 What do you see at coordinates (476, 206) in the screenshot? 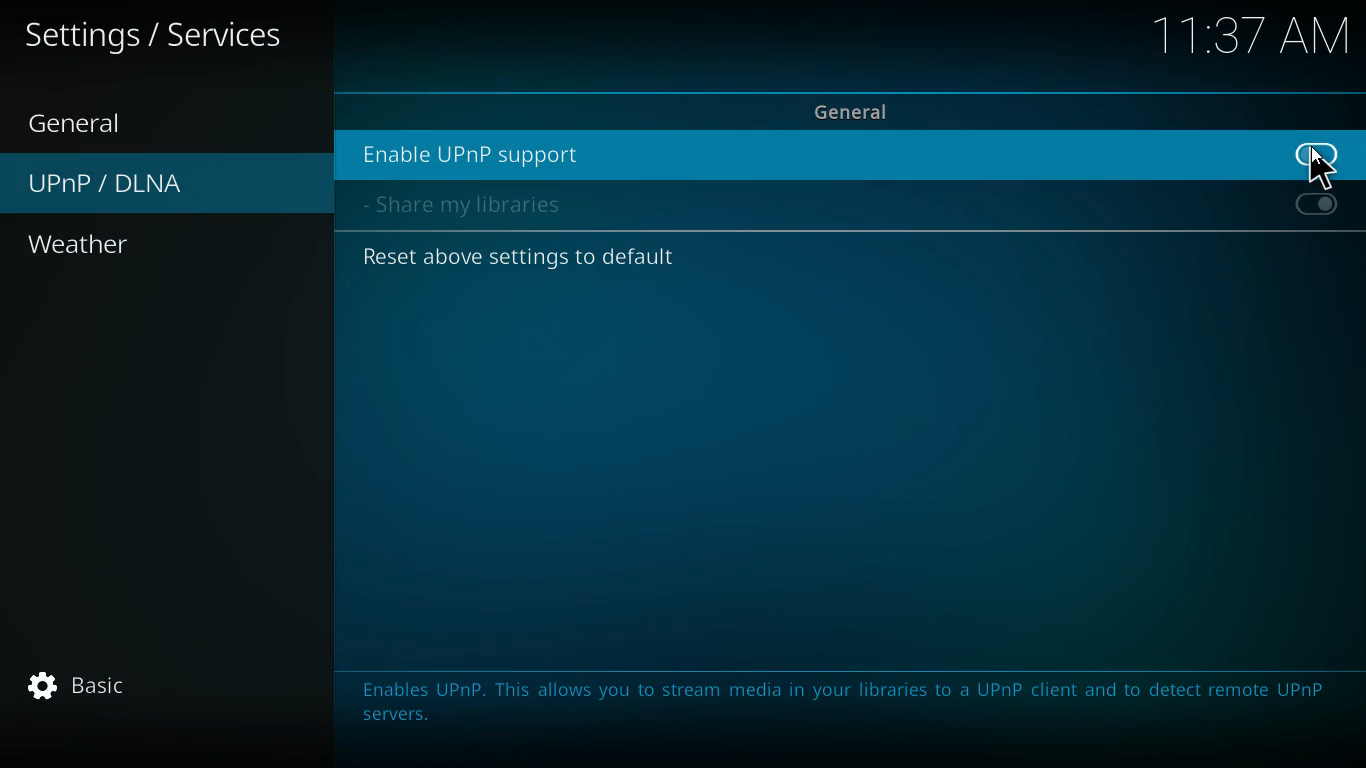
I see `share my libraries` at bounding box center [476, 206].